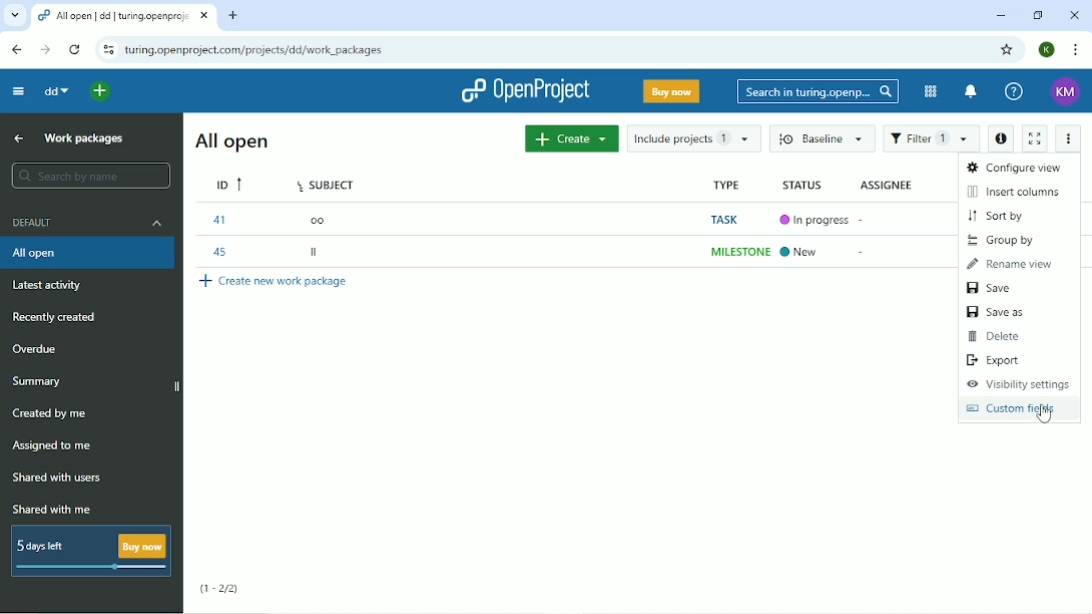 This screenshot has width=1092, height=614. I want to click on reload, so click(105, 50).